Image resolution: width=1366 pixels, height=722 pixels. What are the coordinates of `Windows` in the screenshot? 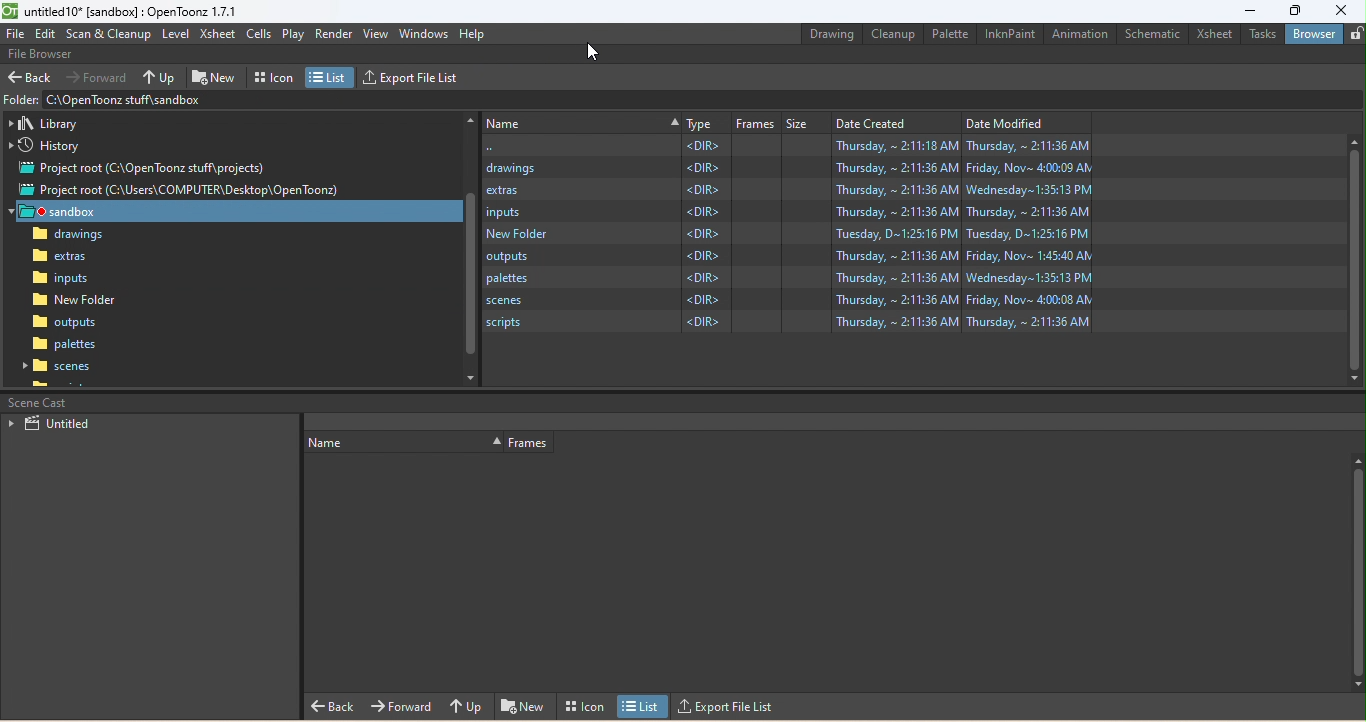 It's located at (425, 34).